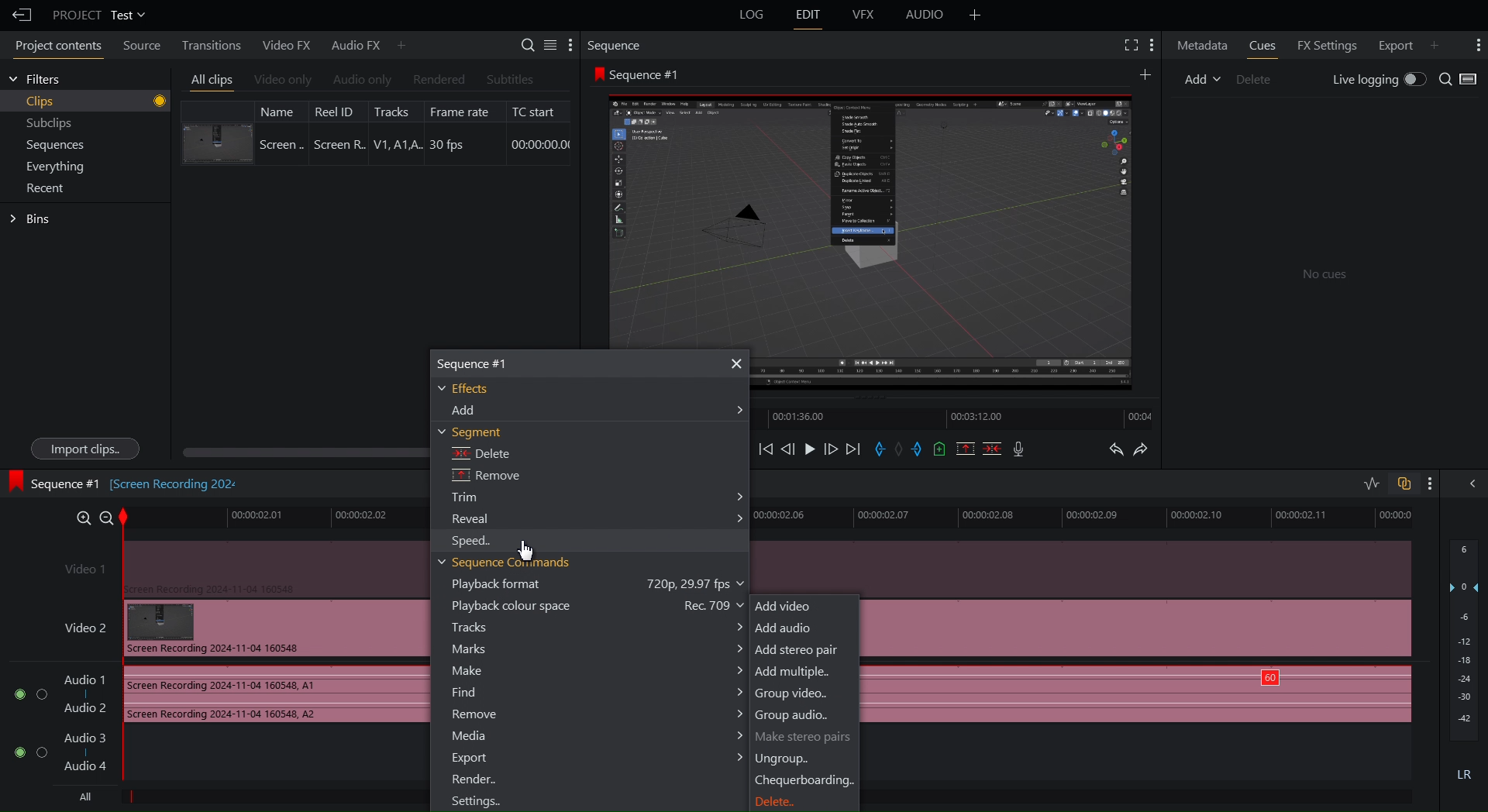 Image resolution: width=1488 pixels, height=812 pixels. What do you see at coordinates (476, 802) in the screenshot?
I see `Settings` at bounding box center [476, 802].